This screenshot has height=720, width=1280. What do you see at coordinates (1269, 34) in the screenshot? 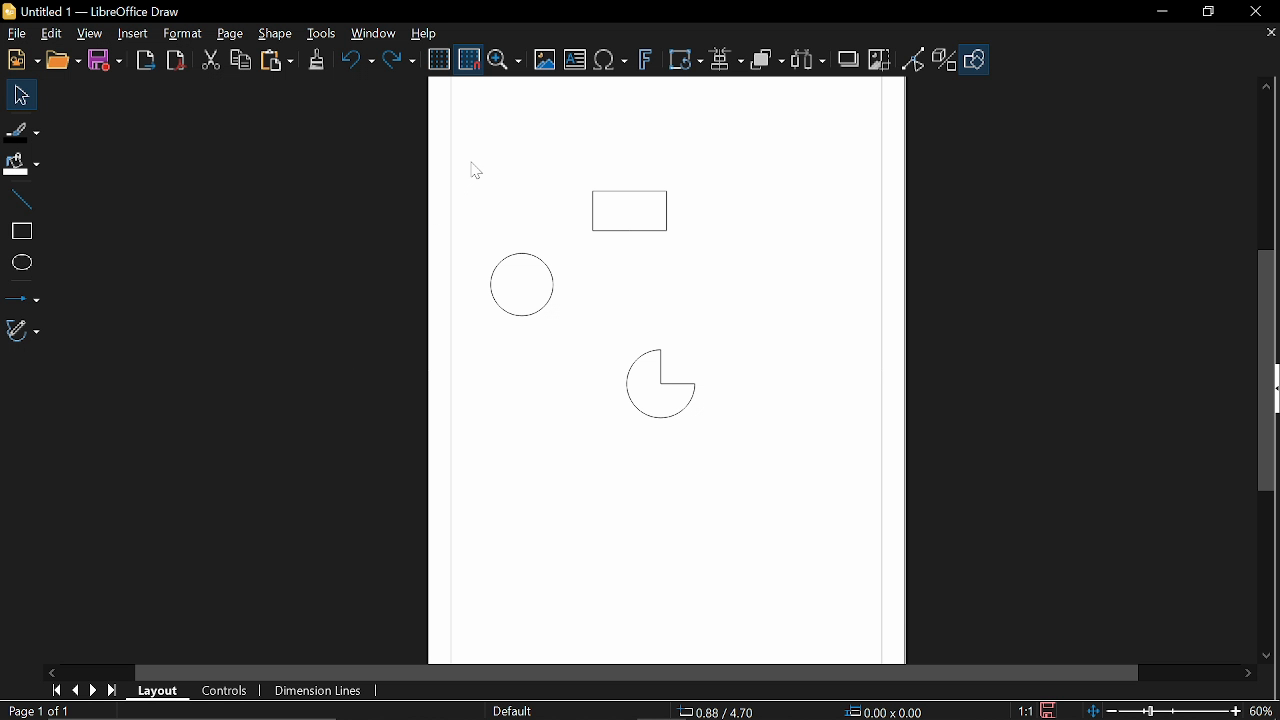
I see `Close tab` at bounding box center [1269, 34].